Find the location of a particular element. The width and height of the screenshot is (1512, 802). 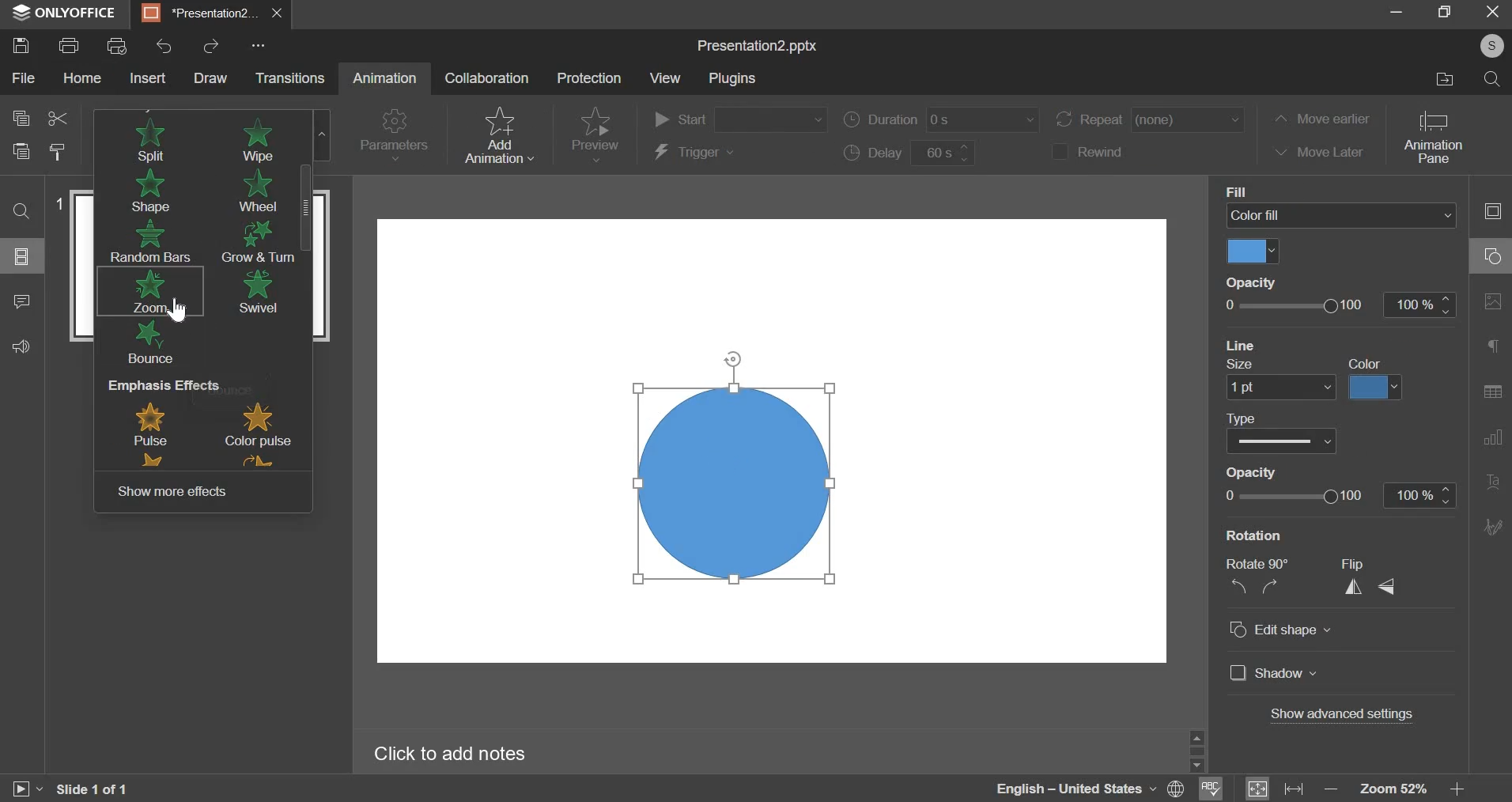

shadow is located at coordinates (1276, 675).